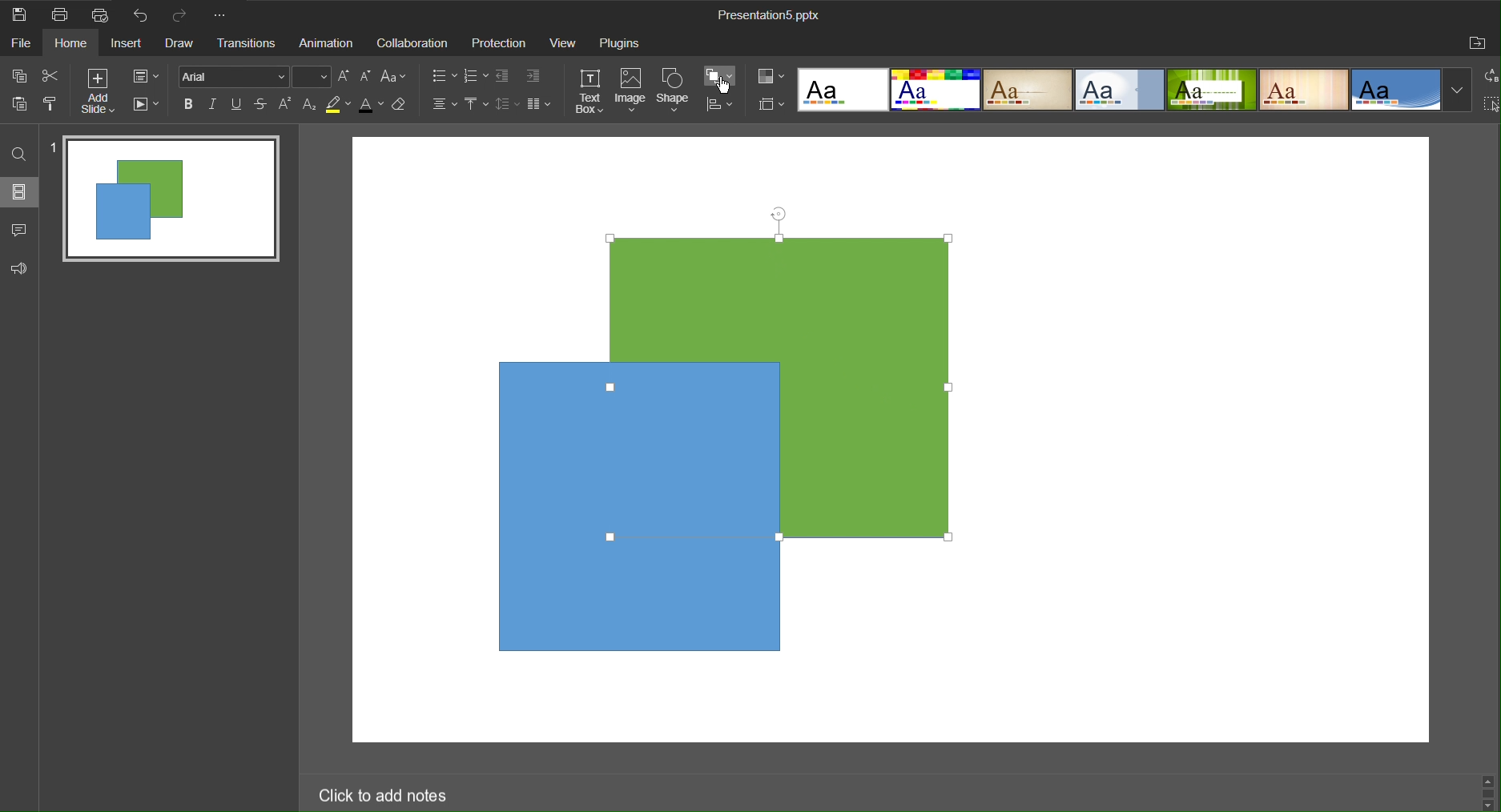  What do you see at coordinates (185, 44) in the screenshot?
I see `Draw` at bounding box center [185, 44].